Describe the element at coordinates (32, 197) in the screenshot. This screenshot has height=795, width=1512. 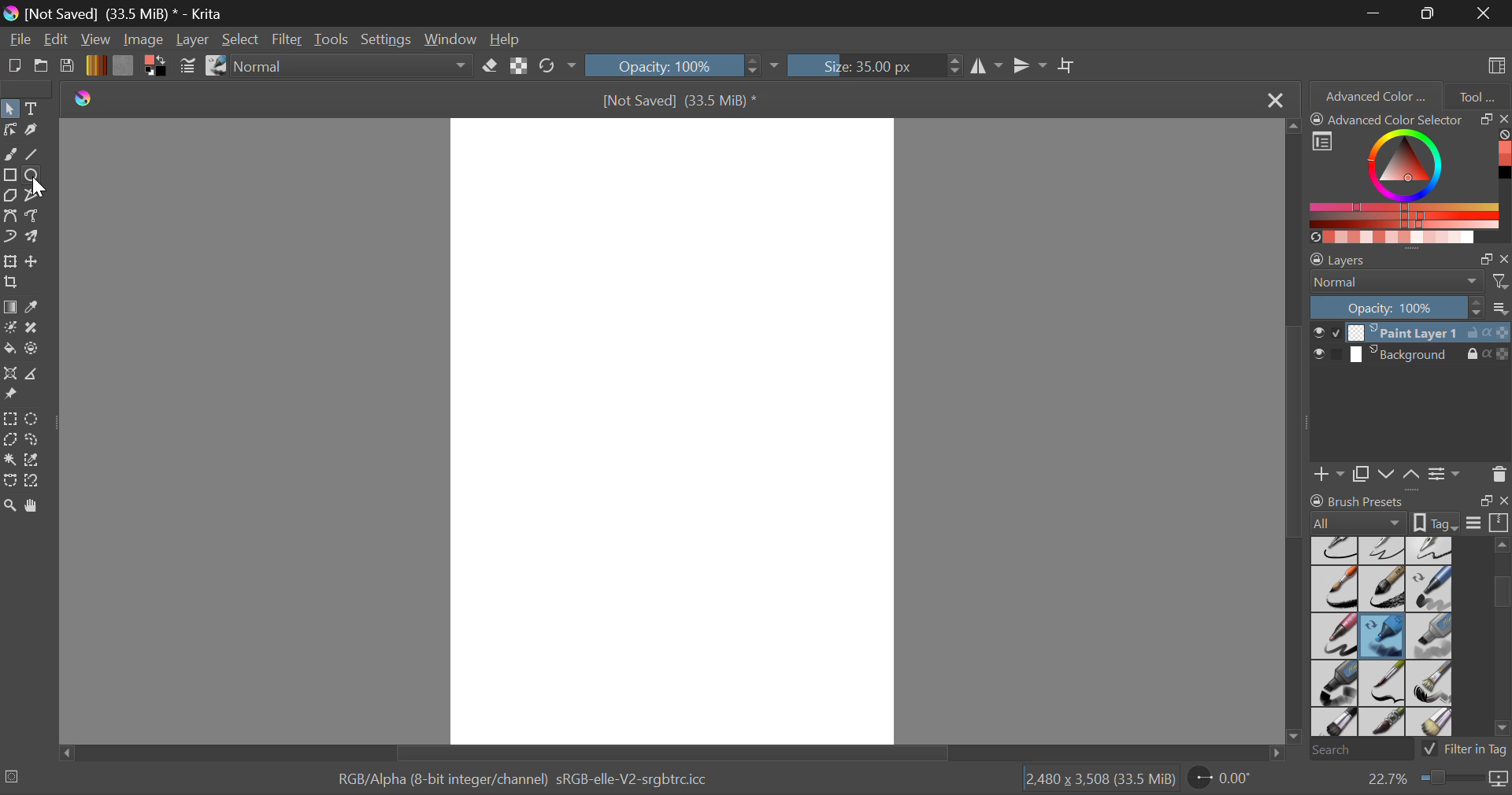
I see `Polyline Tool` at that location.